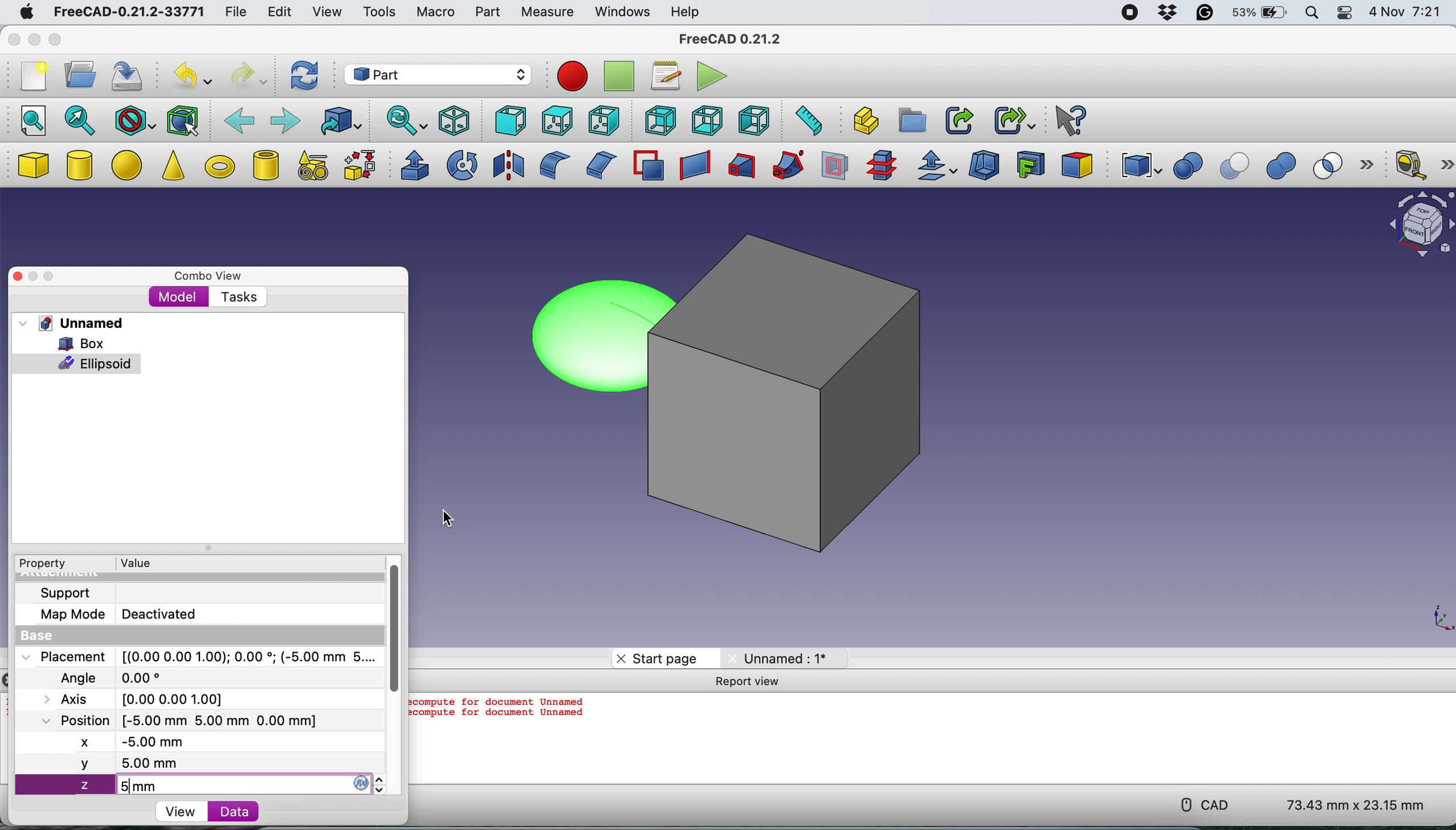  Describe the element at coordinates (1031, 164) in the screenshot. I see `create projection on surface` at that location.